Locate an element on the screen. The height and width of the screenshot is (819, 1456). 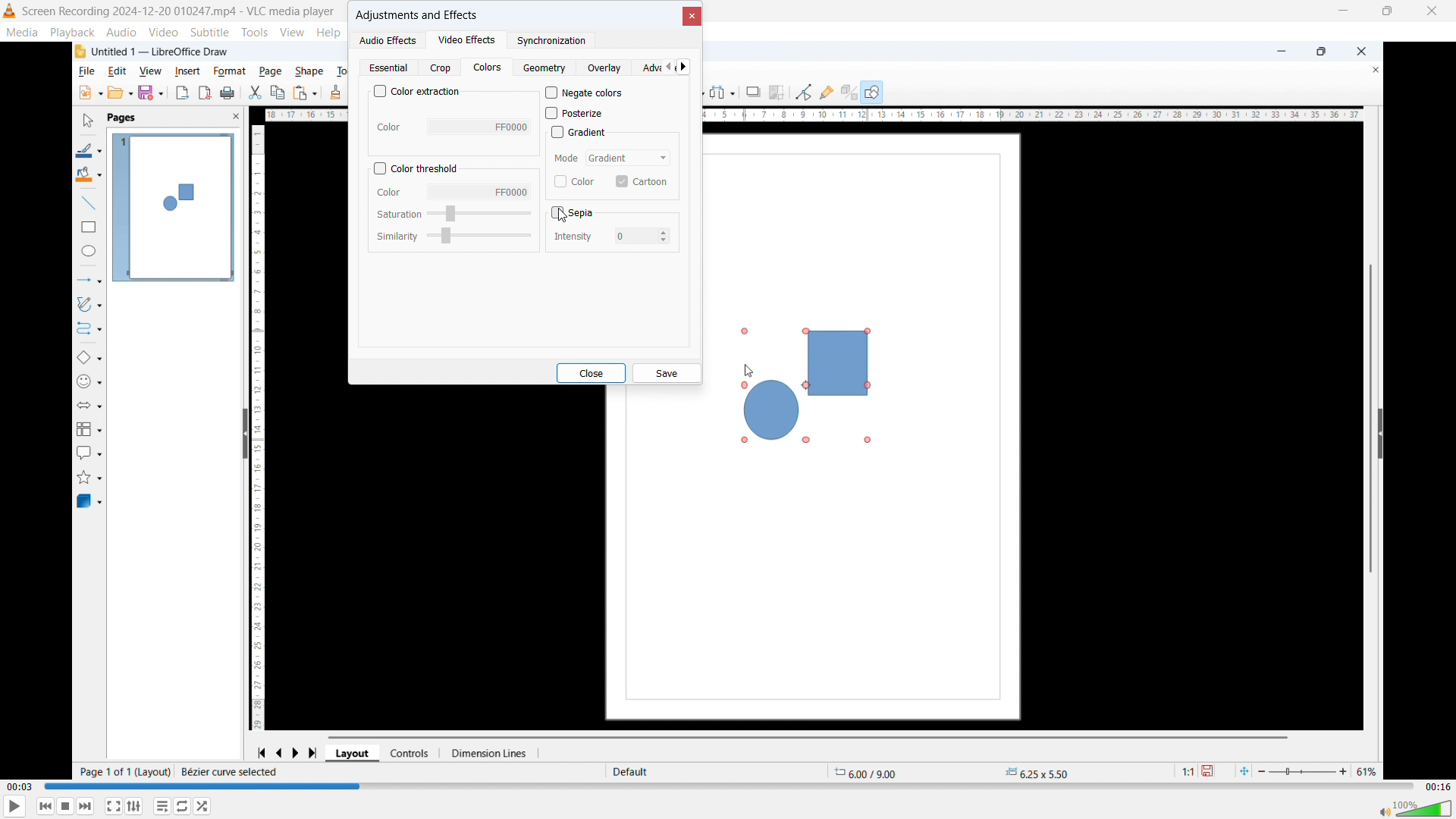
Saturation is located at coordinates (400, 215).